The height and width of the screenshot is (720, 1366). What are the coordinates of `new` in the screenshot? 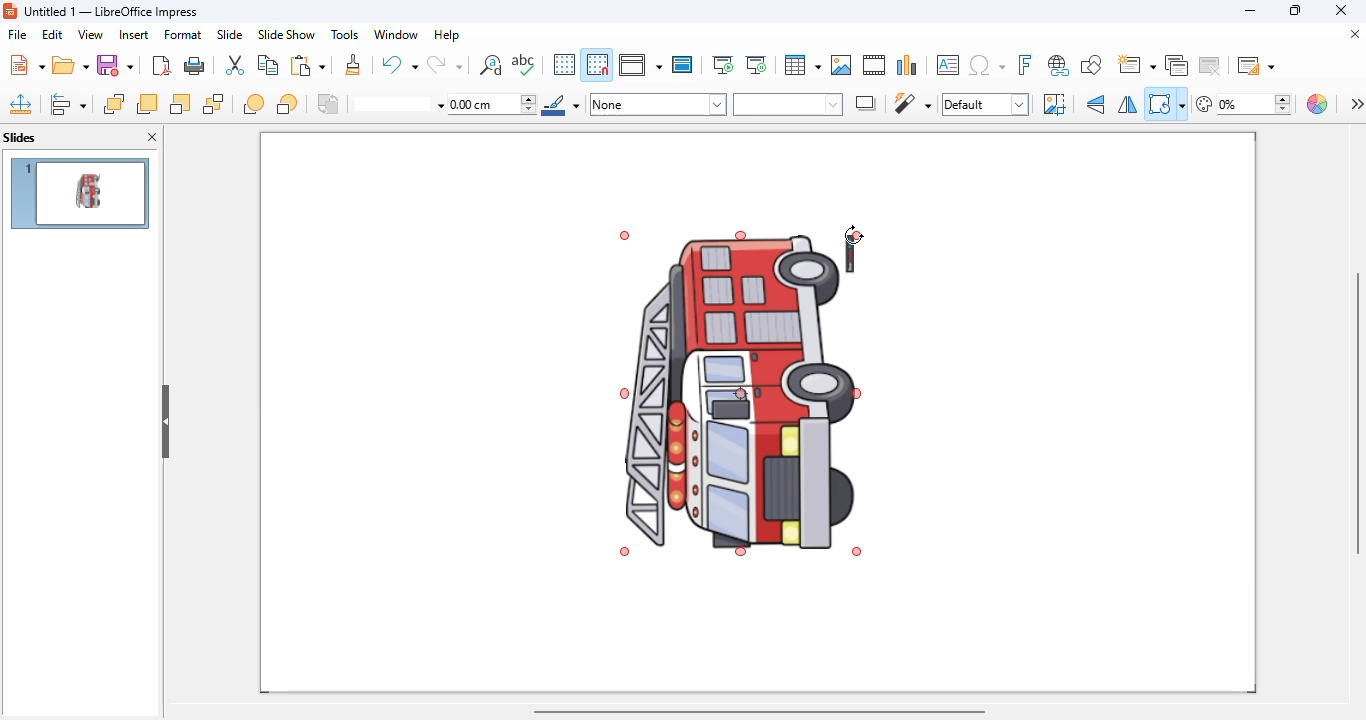 It's located at (26, 64).